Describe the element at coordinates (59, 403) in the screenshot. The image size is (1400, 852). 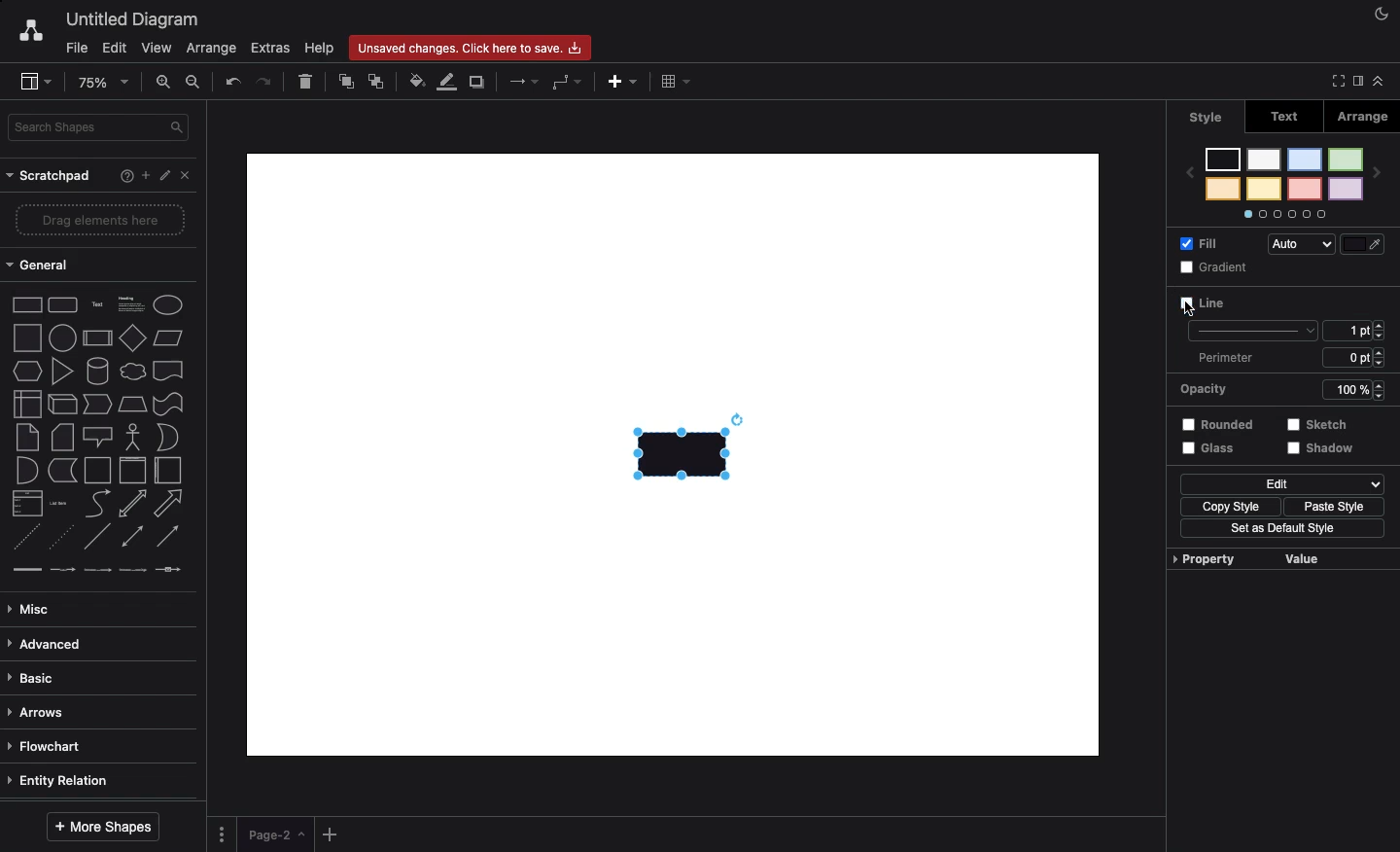
I see `cube` at that location.